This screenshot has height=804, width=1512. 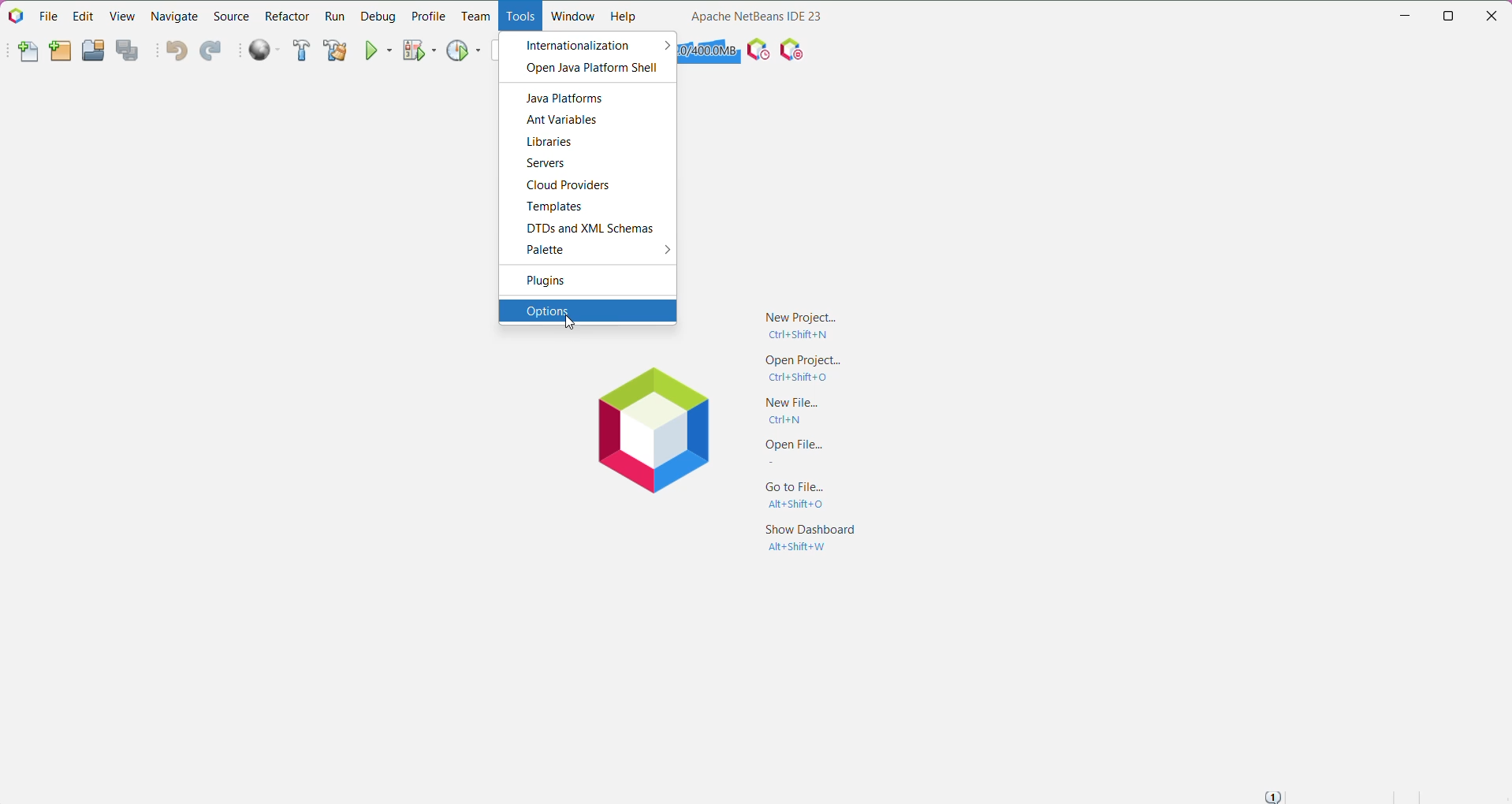 I want to click on , so click(x=805, y=368).